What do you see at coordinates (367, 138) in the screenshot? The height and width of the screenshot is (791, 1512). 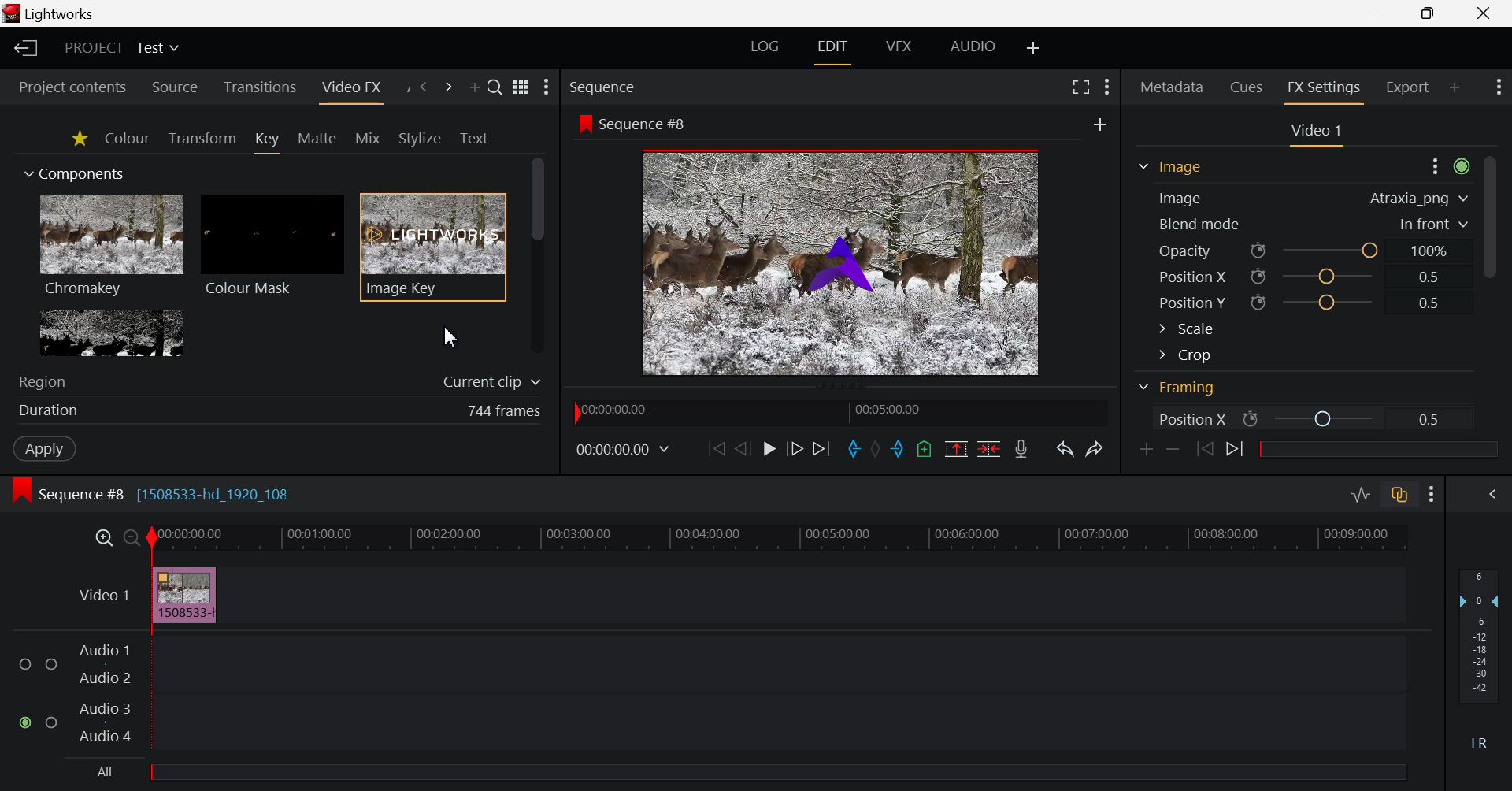 I see `Mix` at bounding box center [367, 138].